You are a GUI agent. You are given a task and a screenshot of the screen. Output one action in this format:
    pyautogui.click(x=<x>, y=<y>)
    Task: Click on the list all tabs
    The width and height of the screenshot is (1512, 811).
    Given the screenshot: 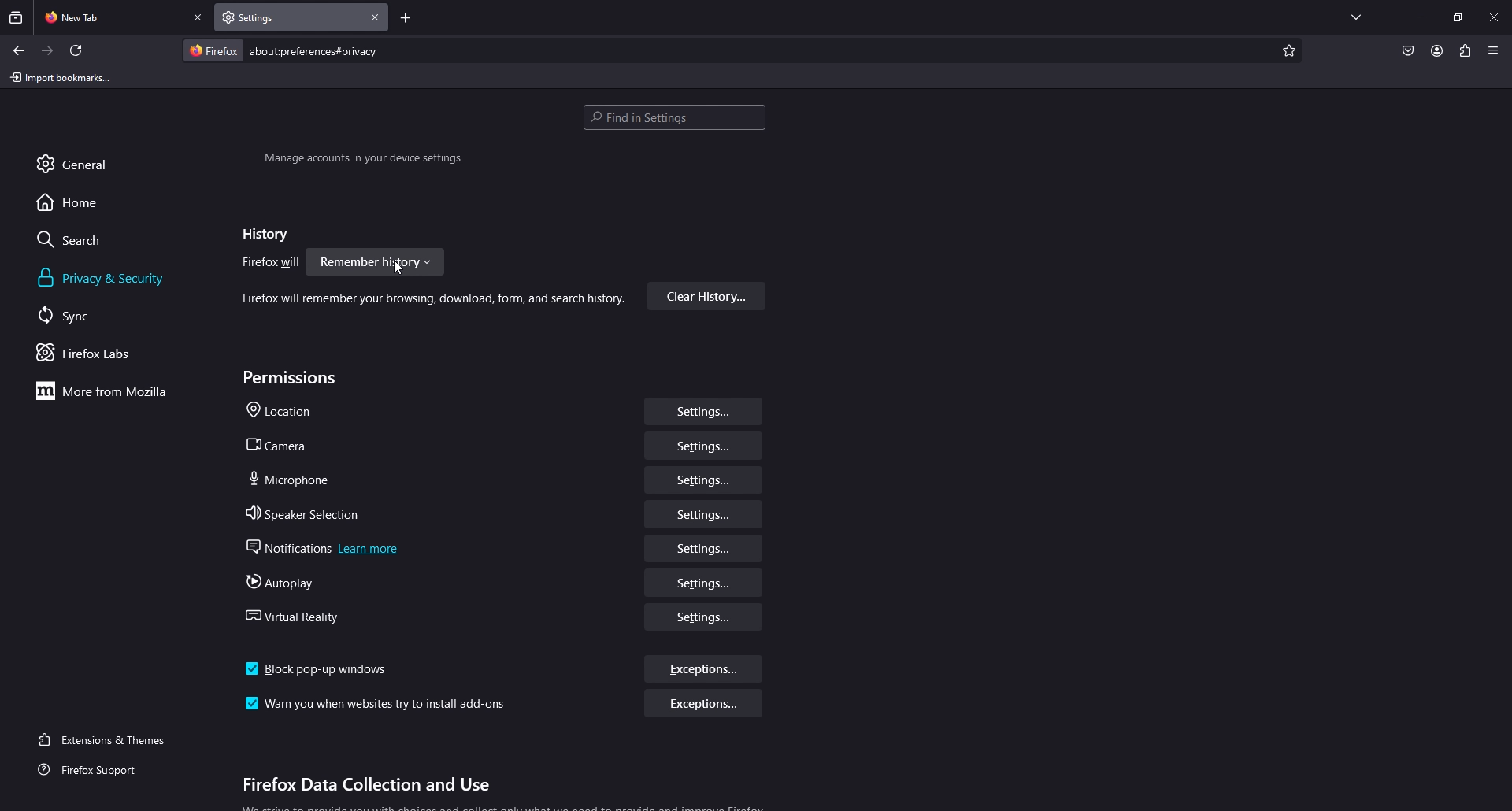 What is the action you would take?
    pyautogui.click(x=1356, y=14)
    